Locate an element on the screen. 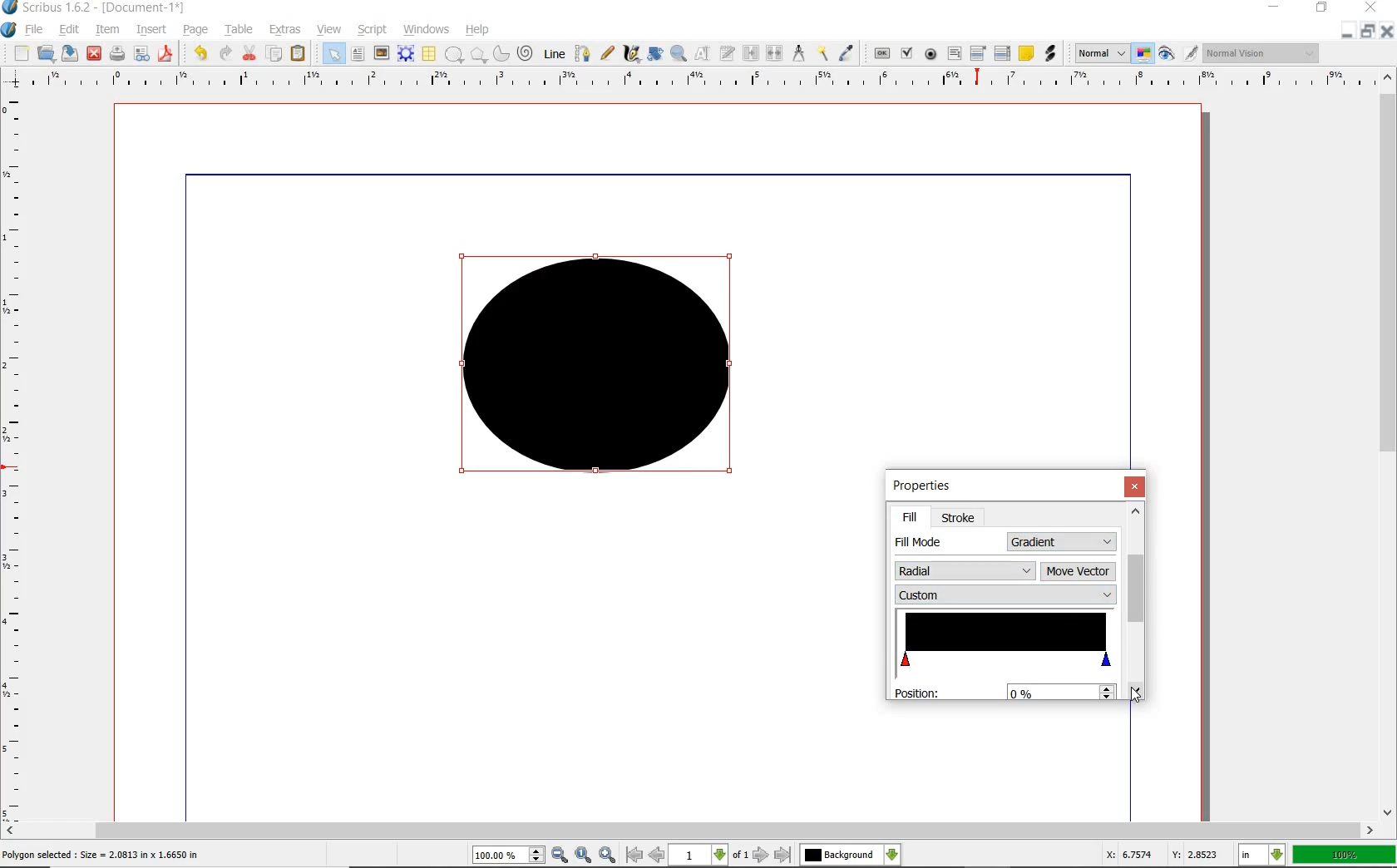 This screenshot has width=1397, height=868. stroke is located at coordinates (960, 518).